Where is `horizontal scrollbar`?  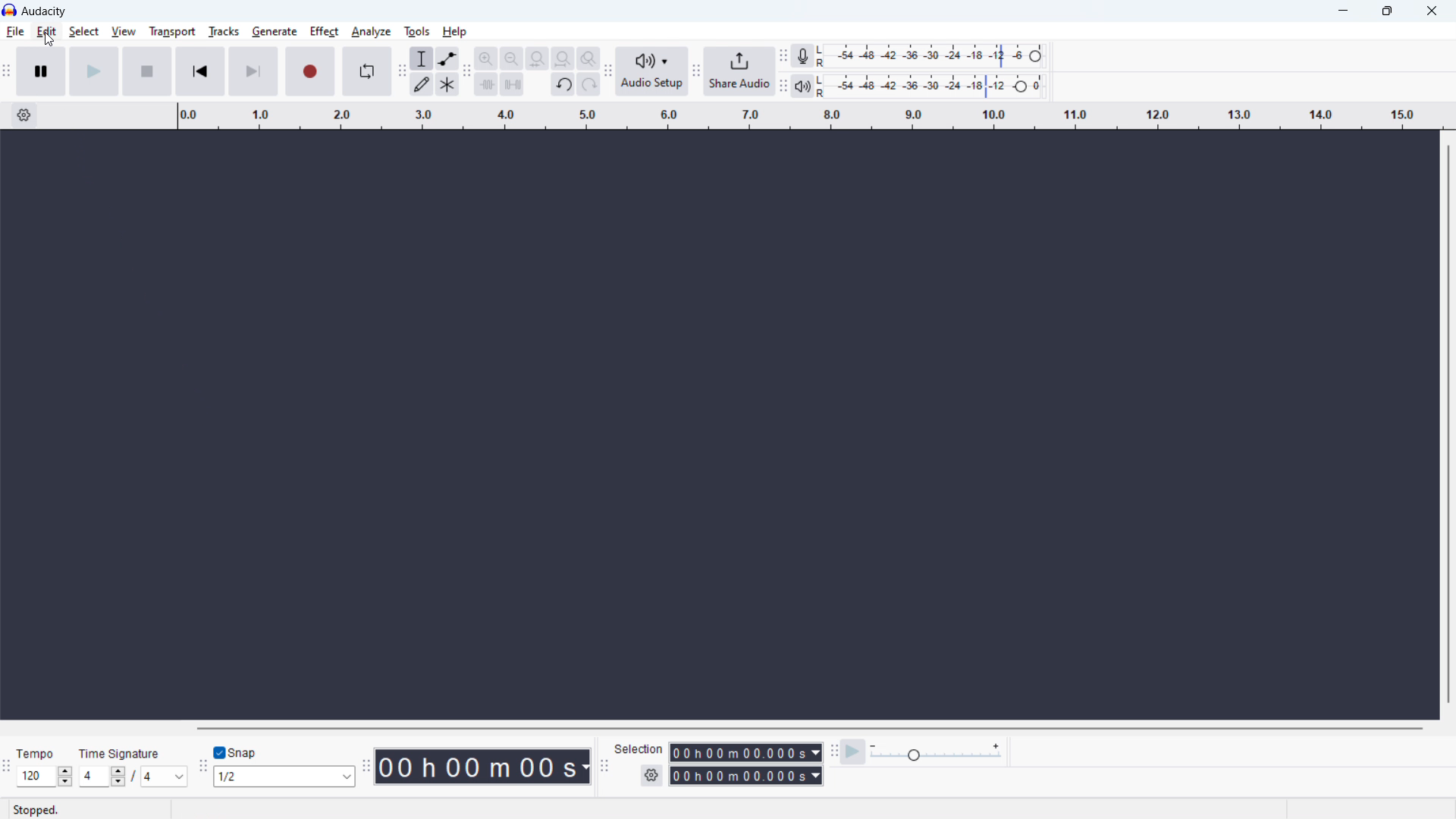 horizontal scrollbar is located at coordinates (808, 729).